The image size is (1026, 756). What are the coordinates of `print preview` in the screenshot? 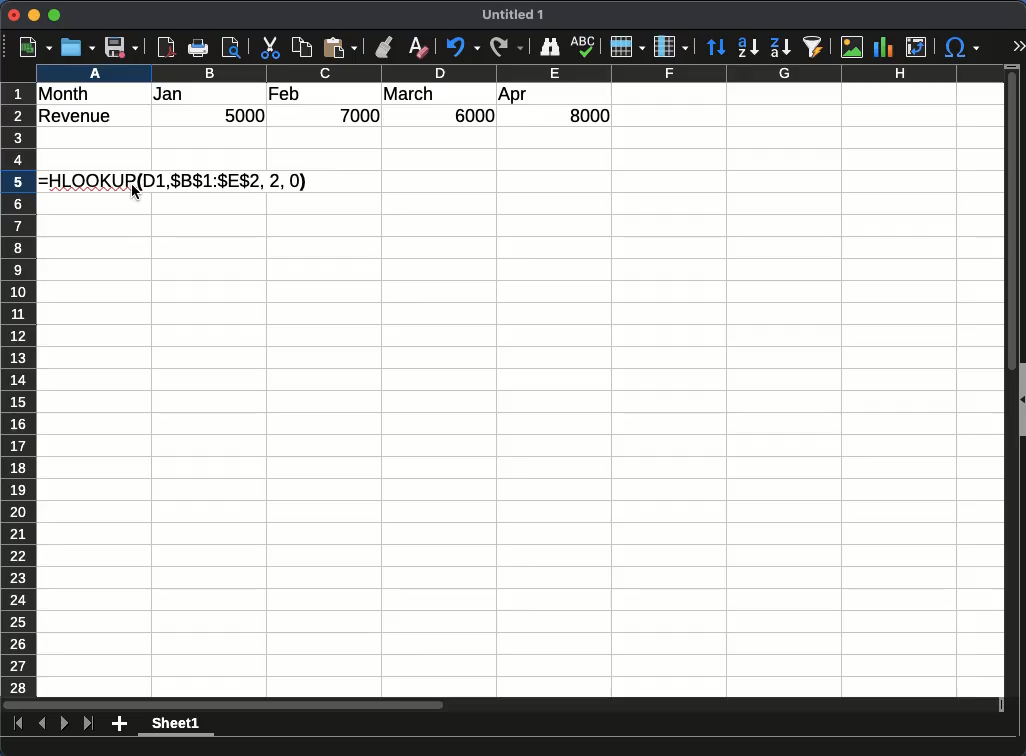 It's located at (231, 47).